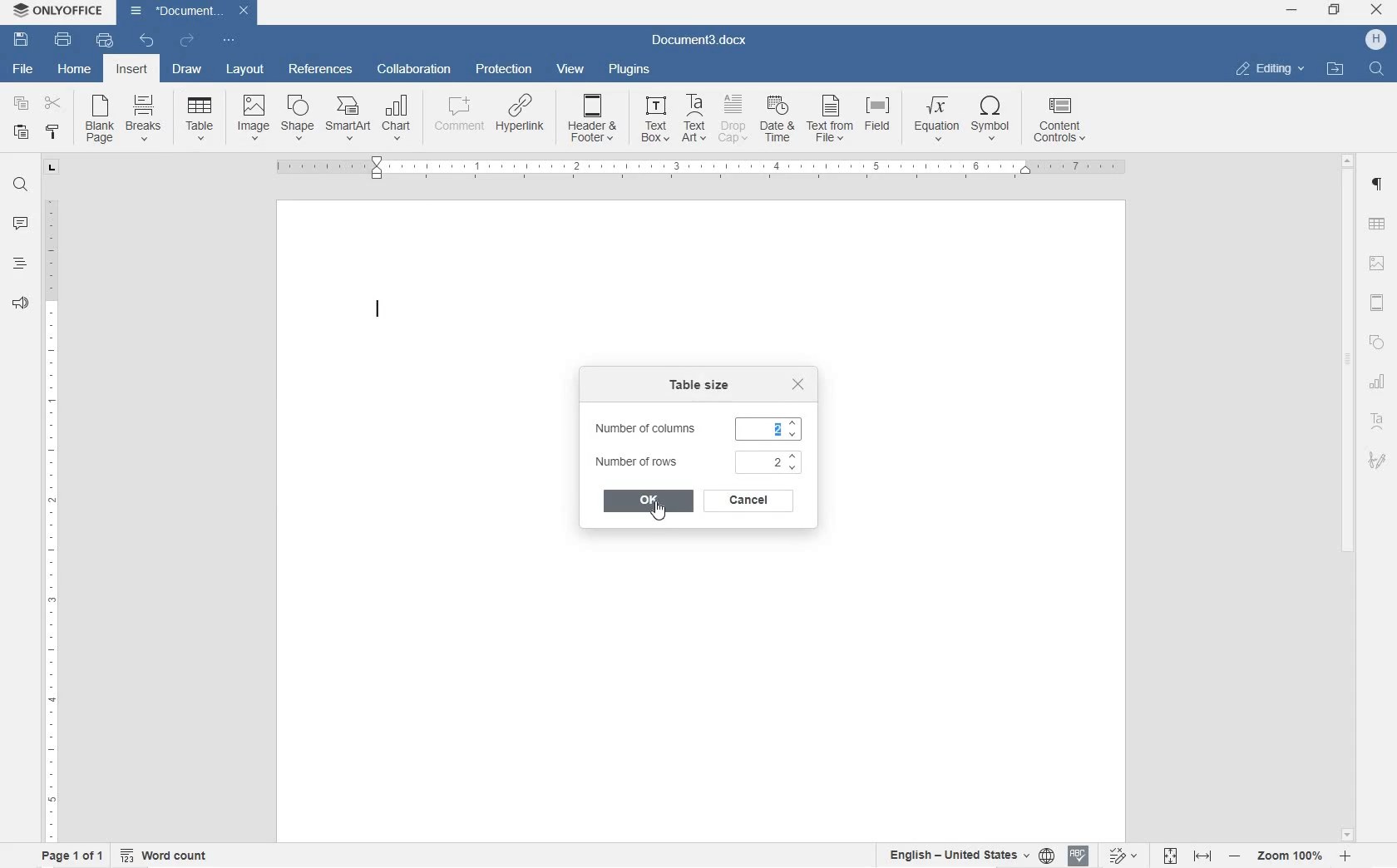 Image resolution: width=1397 pixels, height=868 pixels. I want to click on QUICK PRINT, so click(103, 42).